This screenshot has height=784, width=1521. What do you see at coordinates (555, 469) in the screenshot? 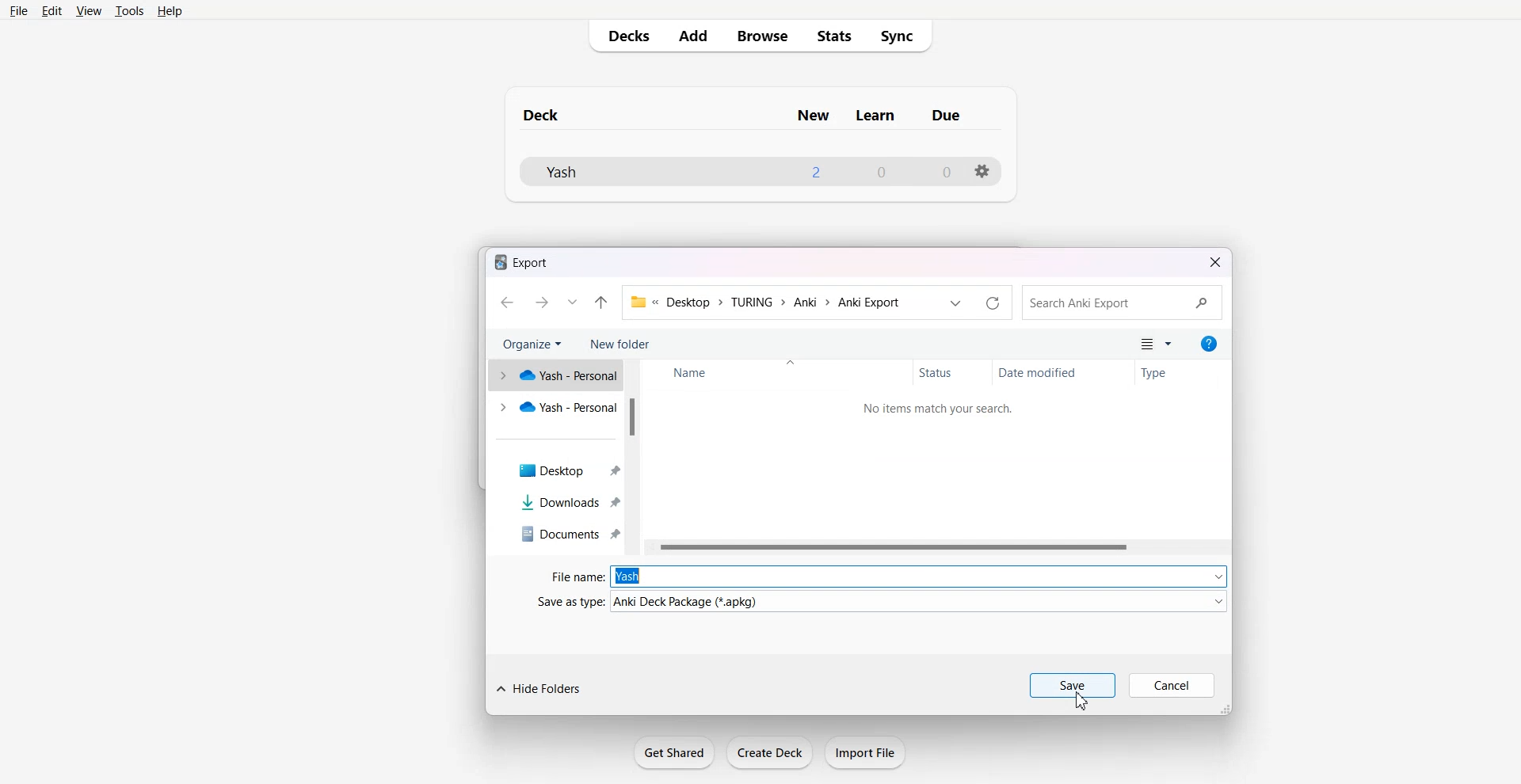
I see `Desktop` at bounding box center [555, 469].